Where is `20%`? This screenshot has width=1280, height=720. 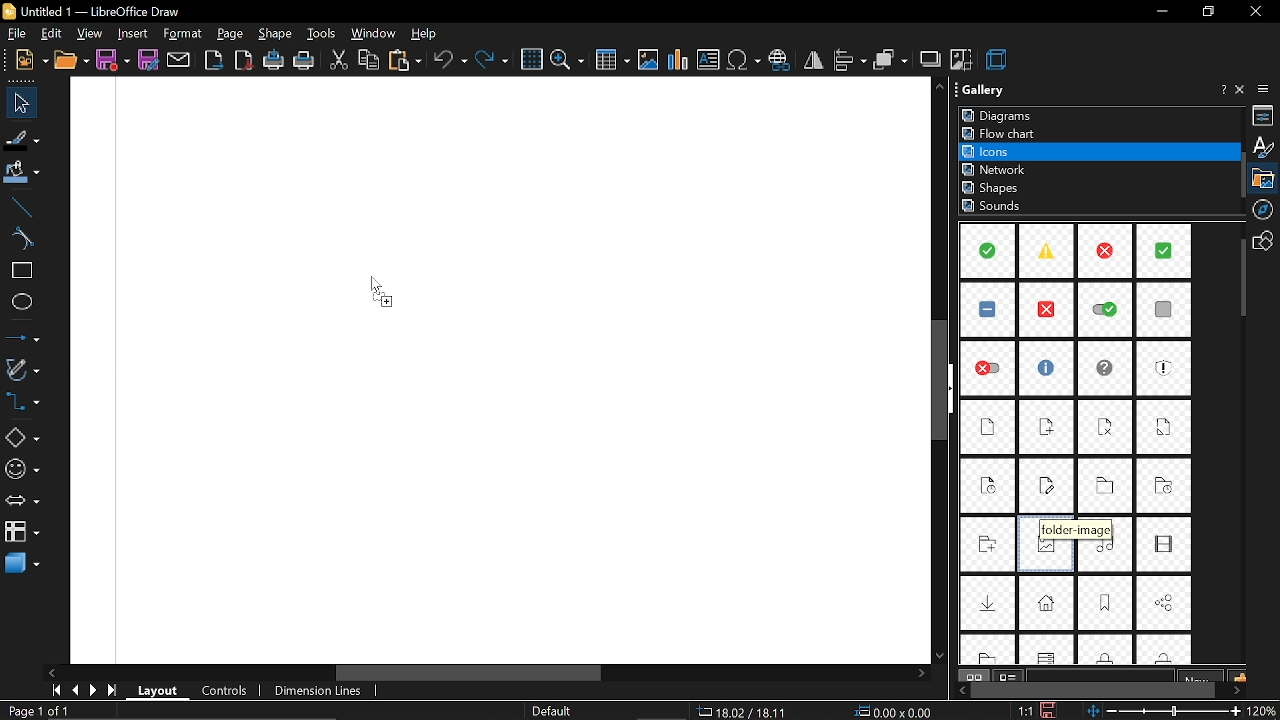
20% is located at coordinates (1264, 711).